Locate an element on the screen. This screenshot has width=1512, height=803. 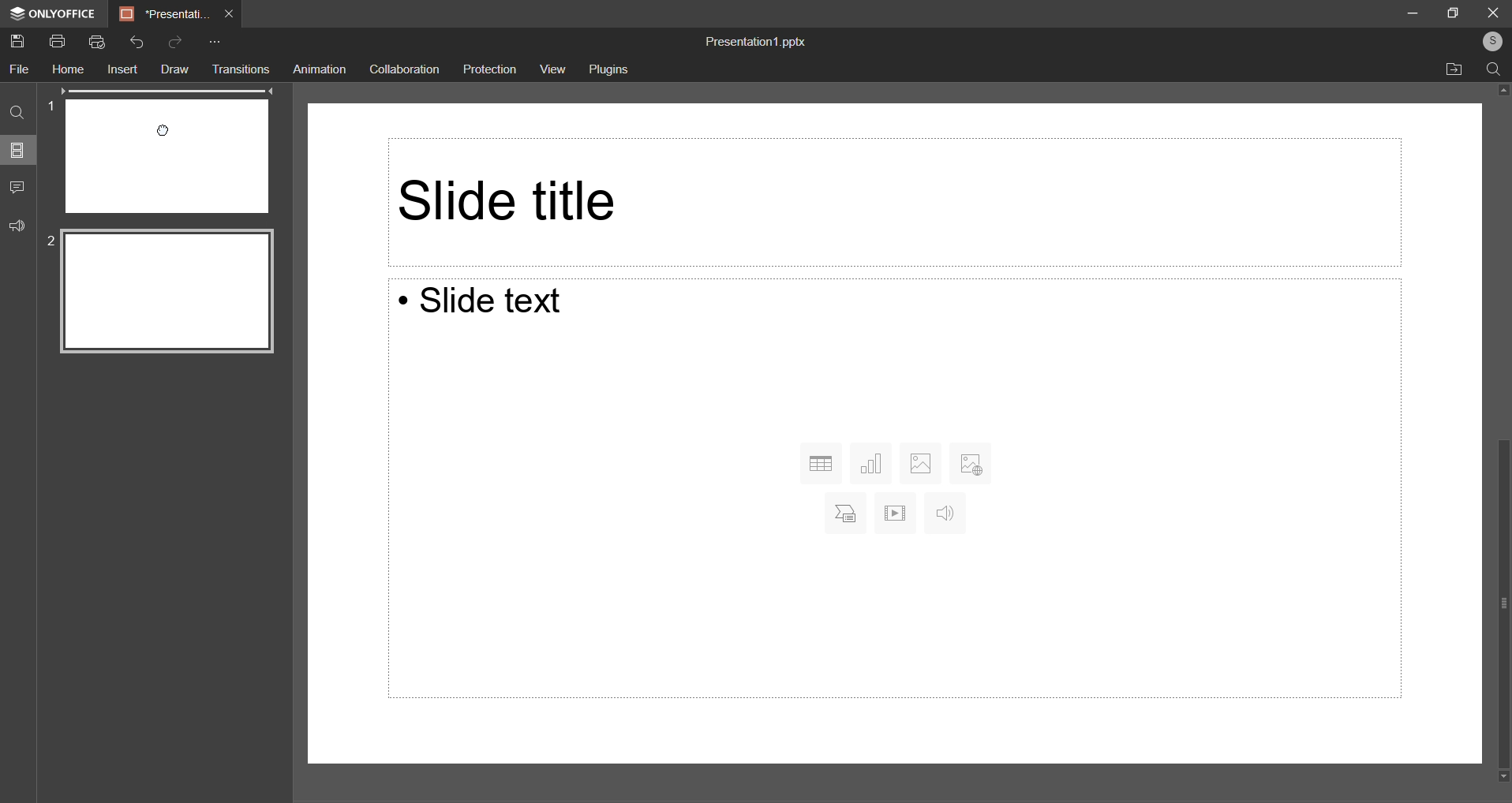
protection is located at coordinates (491, 69).